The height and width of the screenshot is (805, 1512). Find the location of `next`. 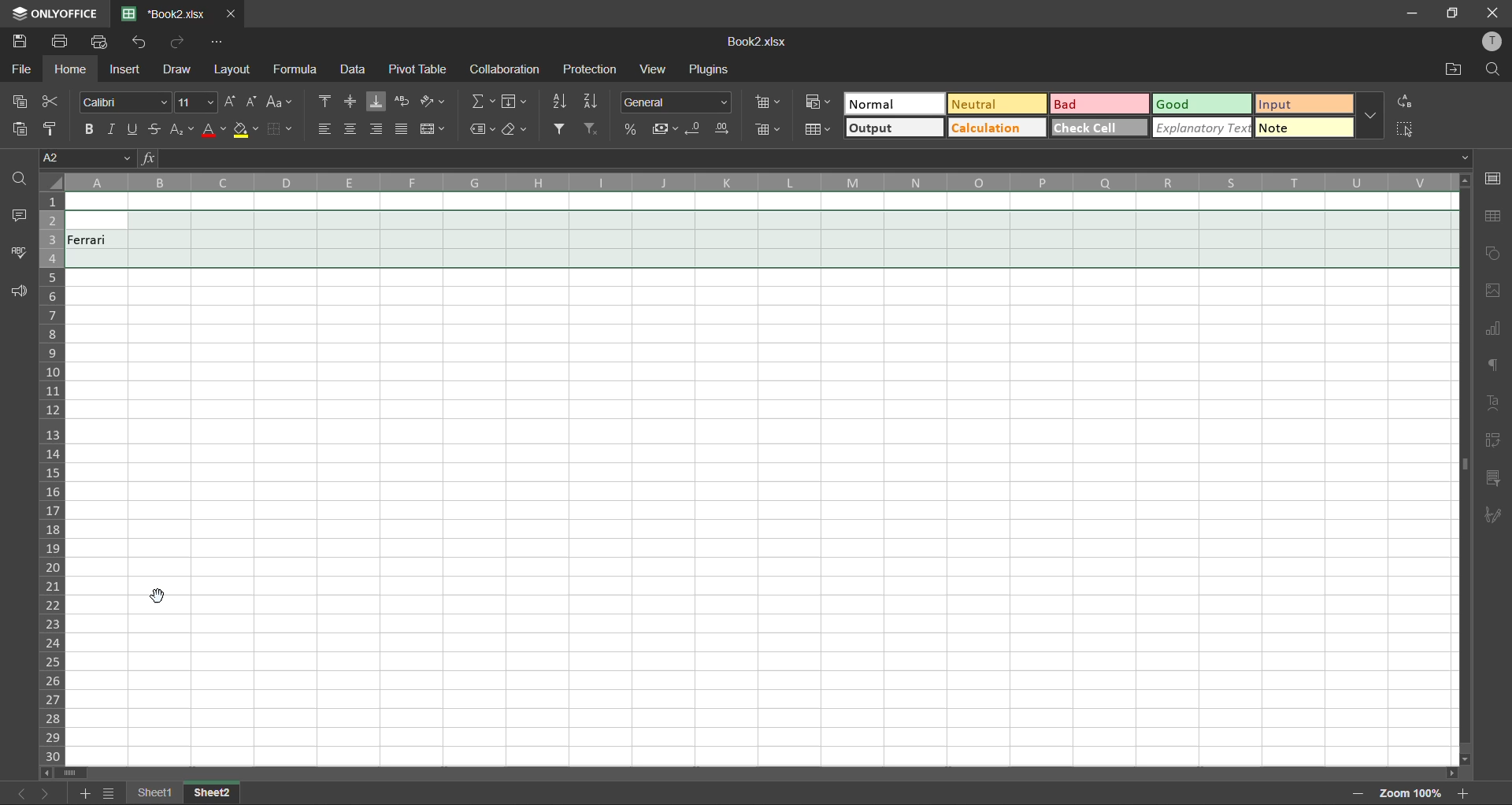

next is located at coordinates (46, 795).